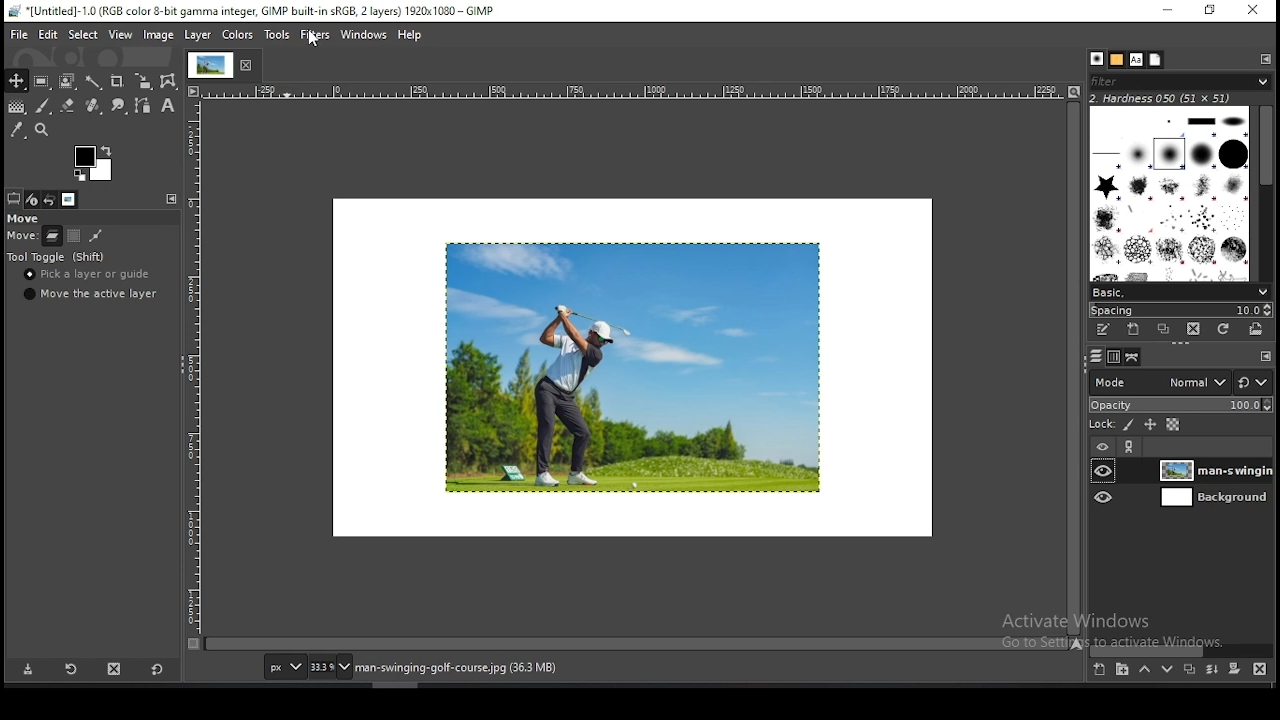 This screenshot has height=720, width=1280. Describe the element at coordinates (66, 199) in the screenshot. I see `images` at that location.